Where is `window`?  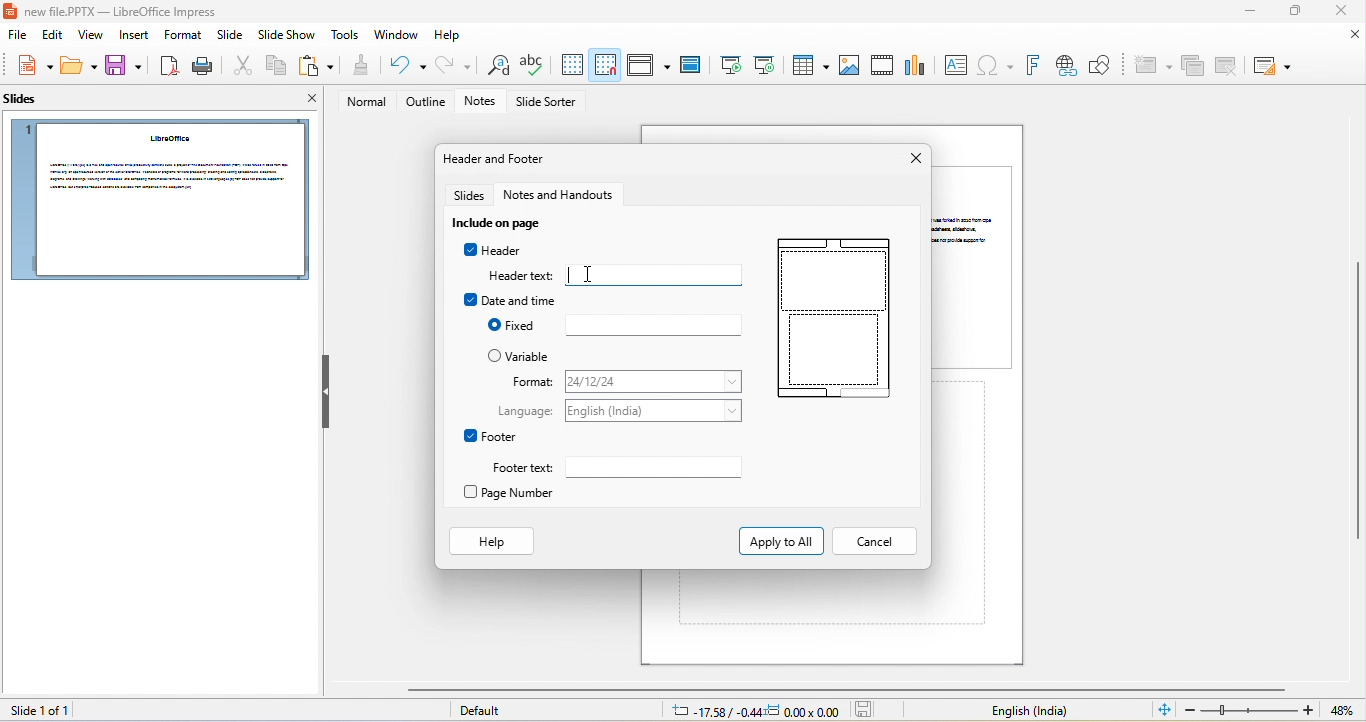 window is located at coordinates (397, 35).